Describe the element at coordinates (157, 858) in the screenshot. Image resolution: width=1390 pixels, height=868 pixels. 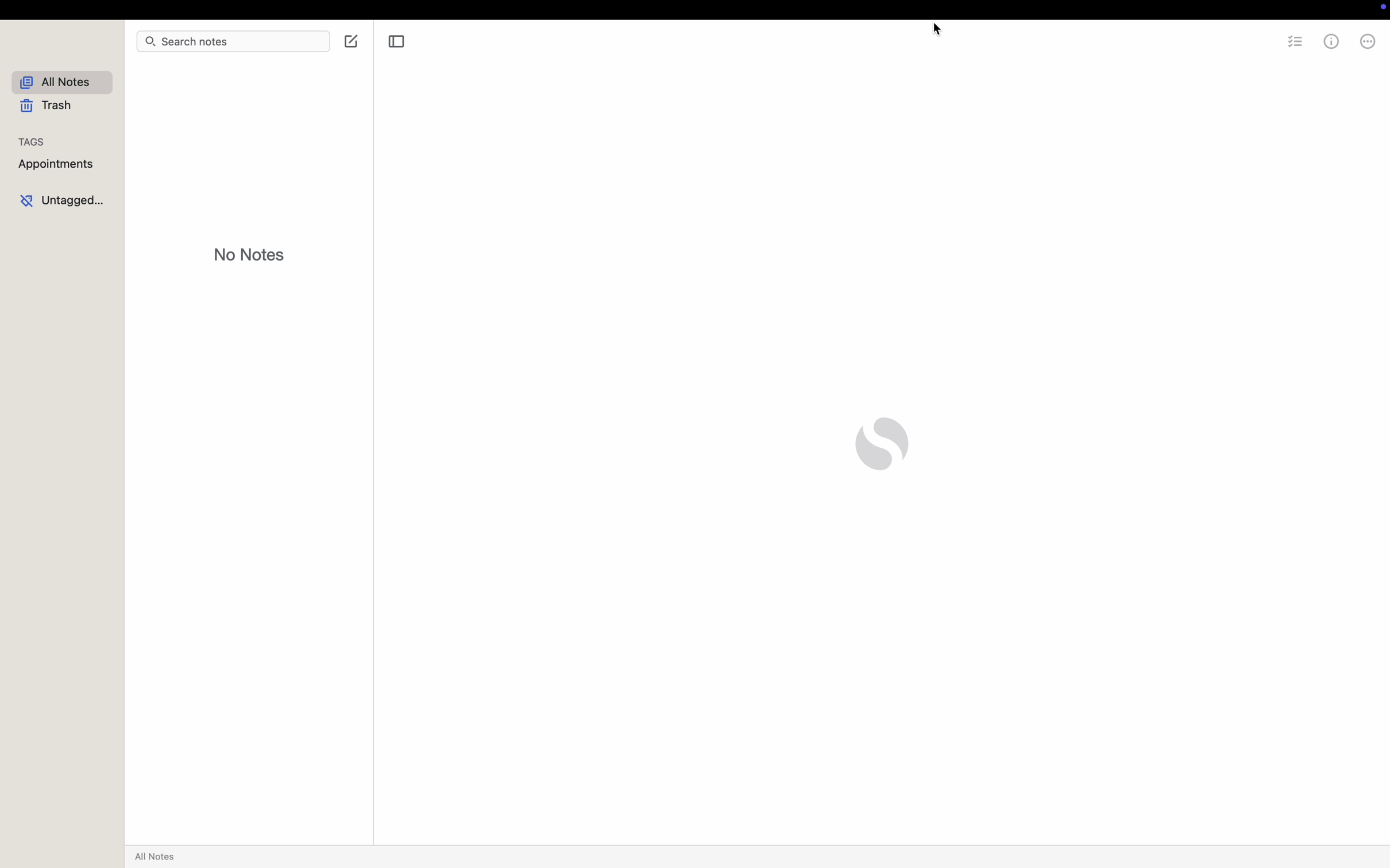
I see `all notes` at that location.